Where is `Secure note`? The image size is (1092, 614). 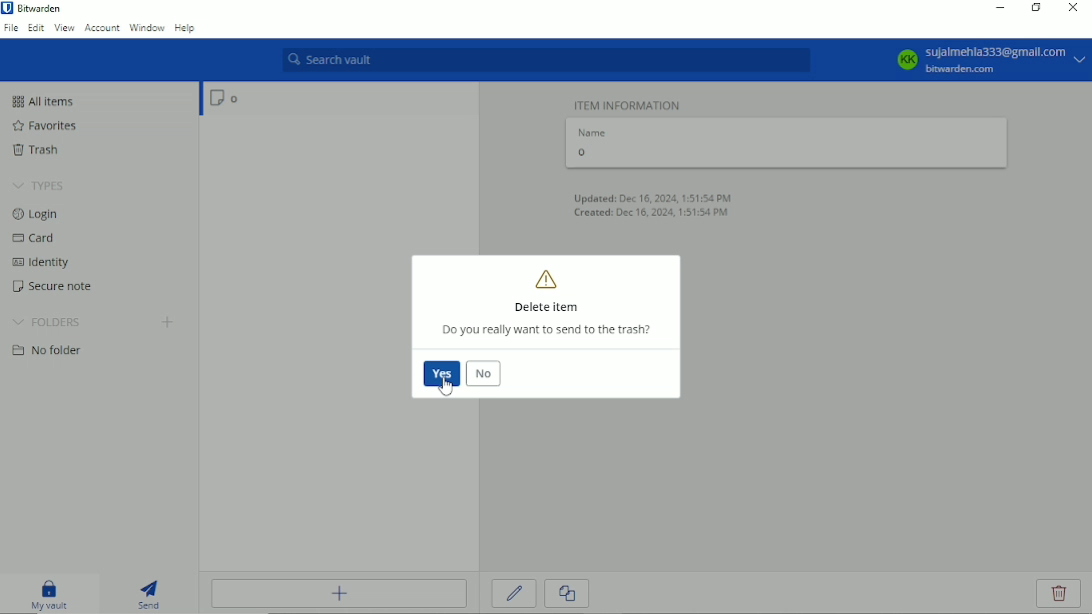 Secure note is located at coordinates (49, 287).